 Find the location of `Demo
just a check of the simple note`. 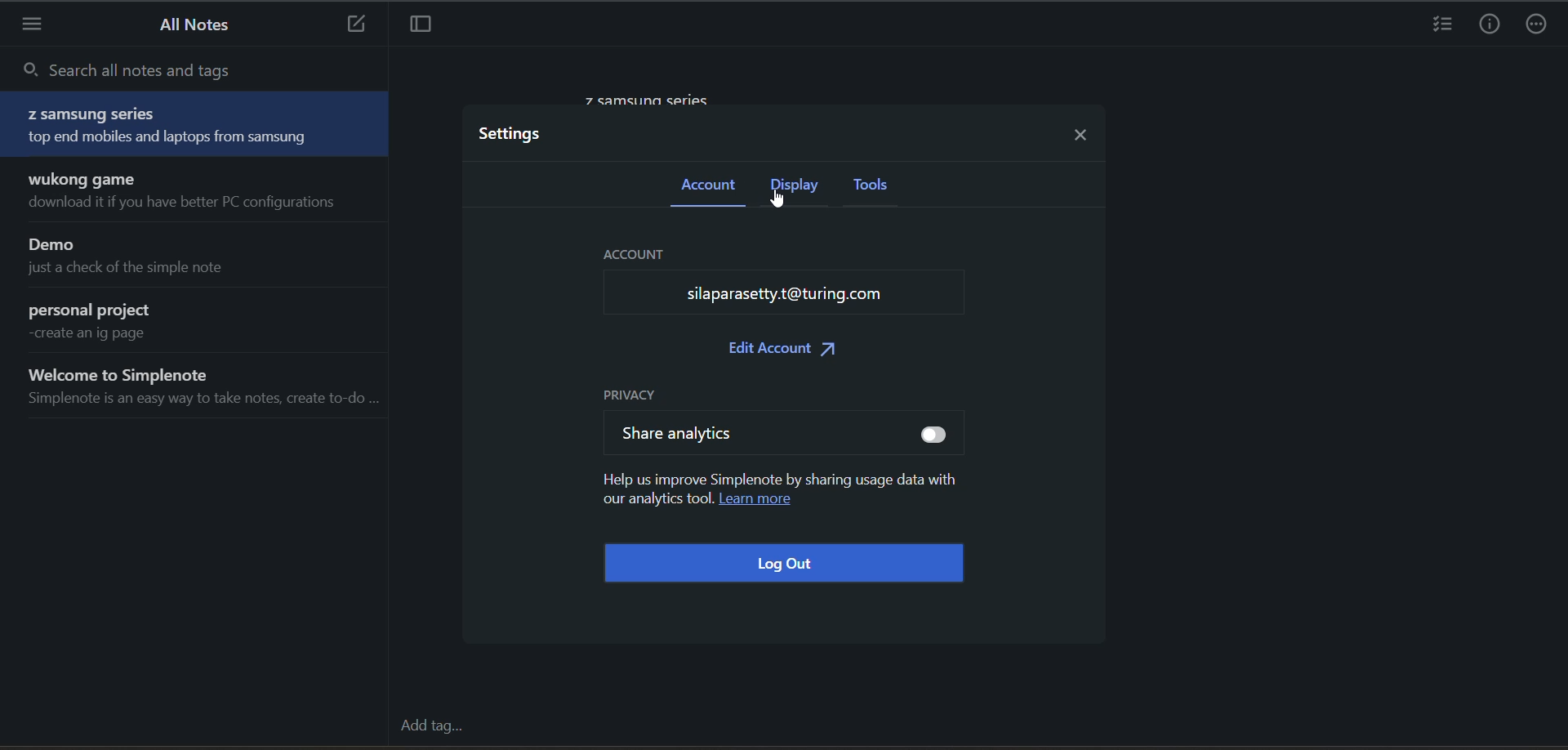

Demo
just a check of the simple note is located at coordinates (201, 257).